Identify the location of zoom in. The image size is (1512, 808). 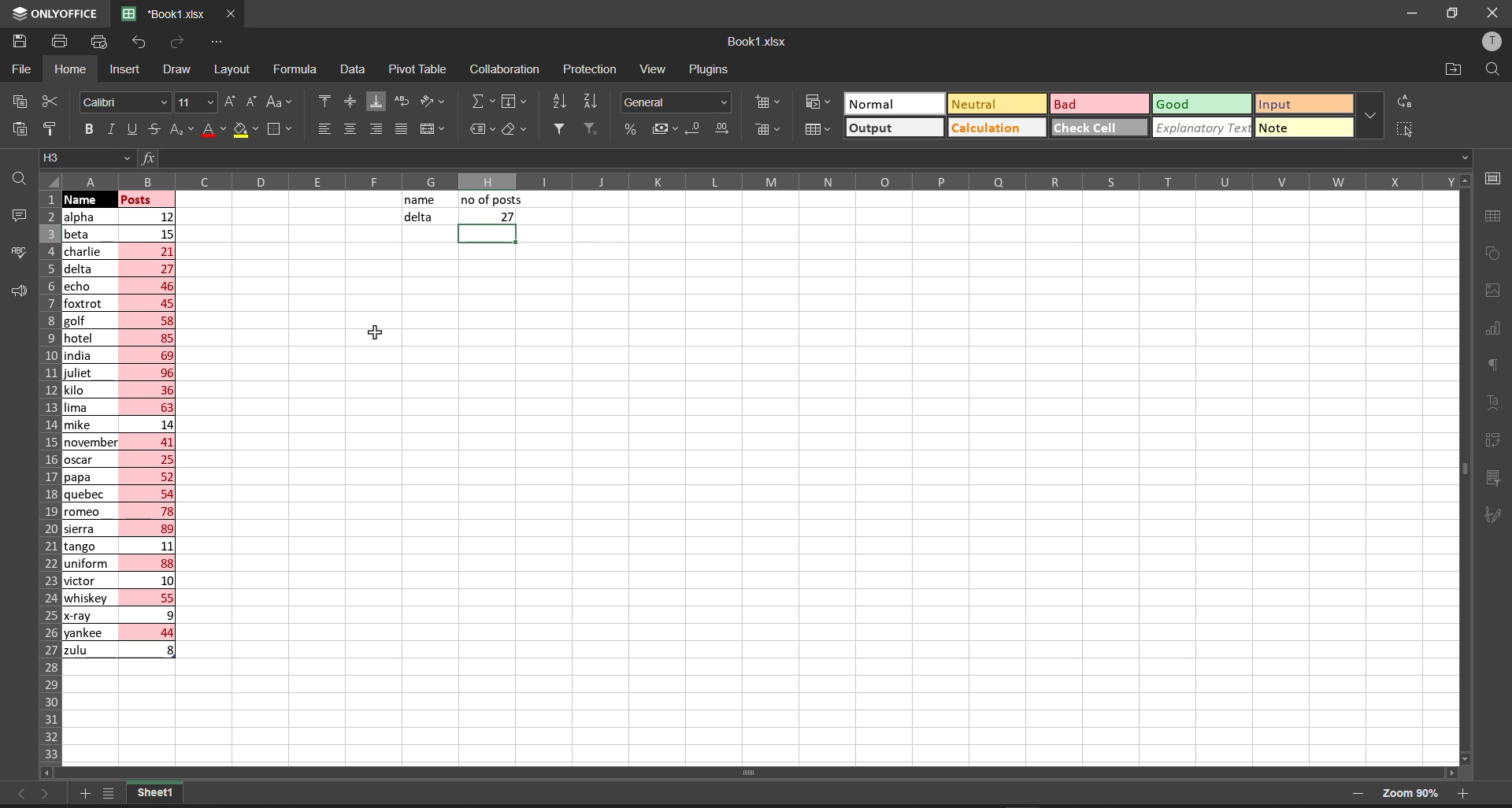
(1466, 795).